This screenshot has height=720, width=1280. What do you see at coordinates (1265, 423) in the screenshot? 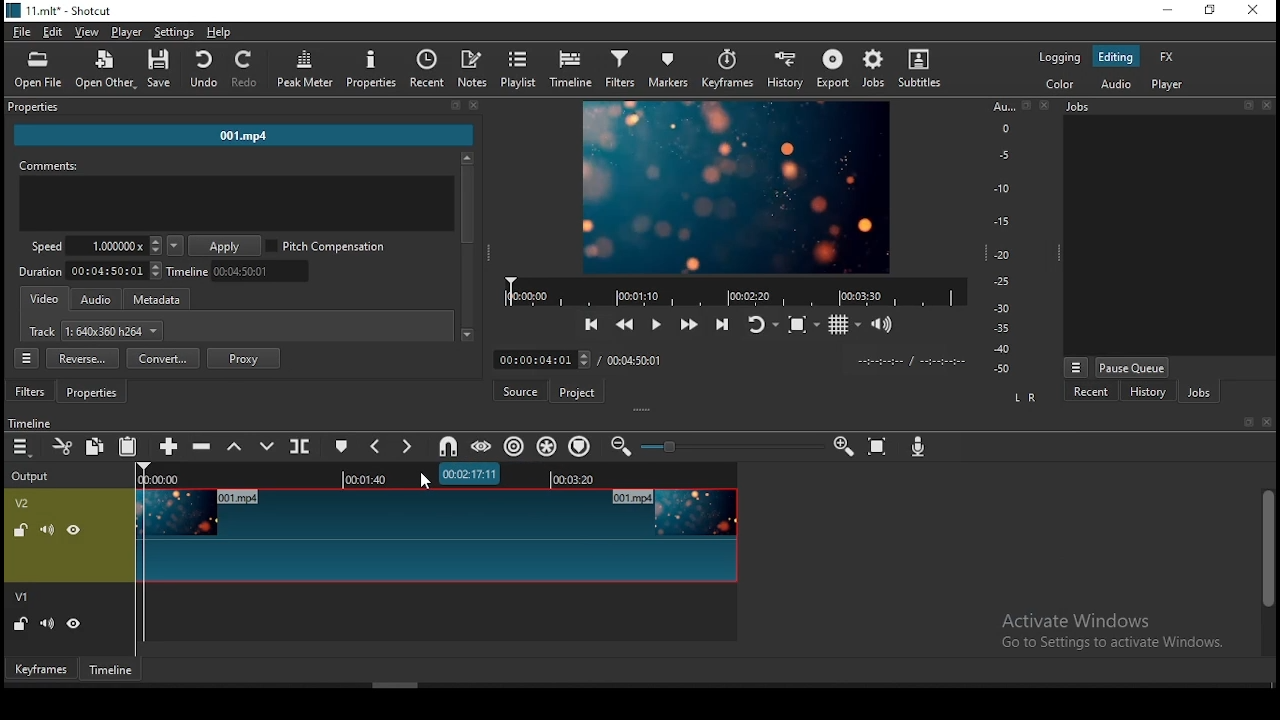
I see `CLOSE` at bounding box center [1265, 423].